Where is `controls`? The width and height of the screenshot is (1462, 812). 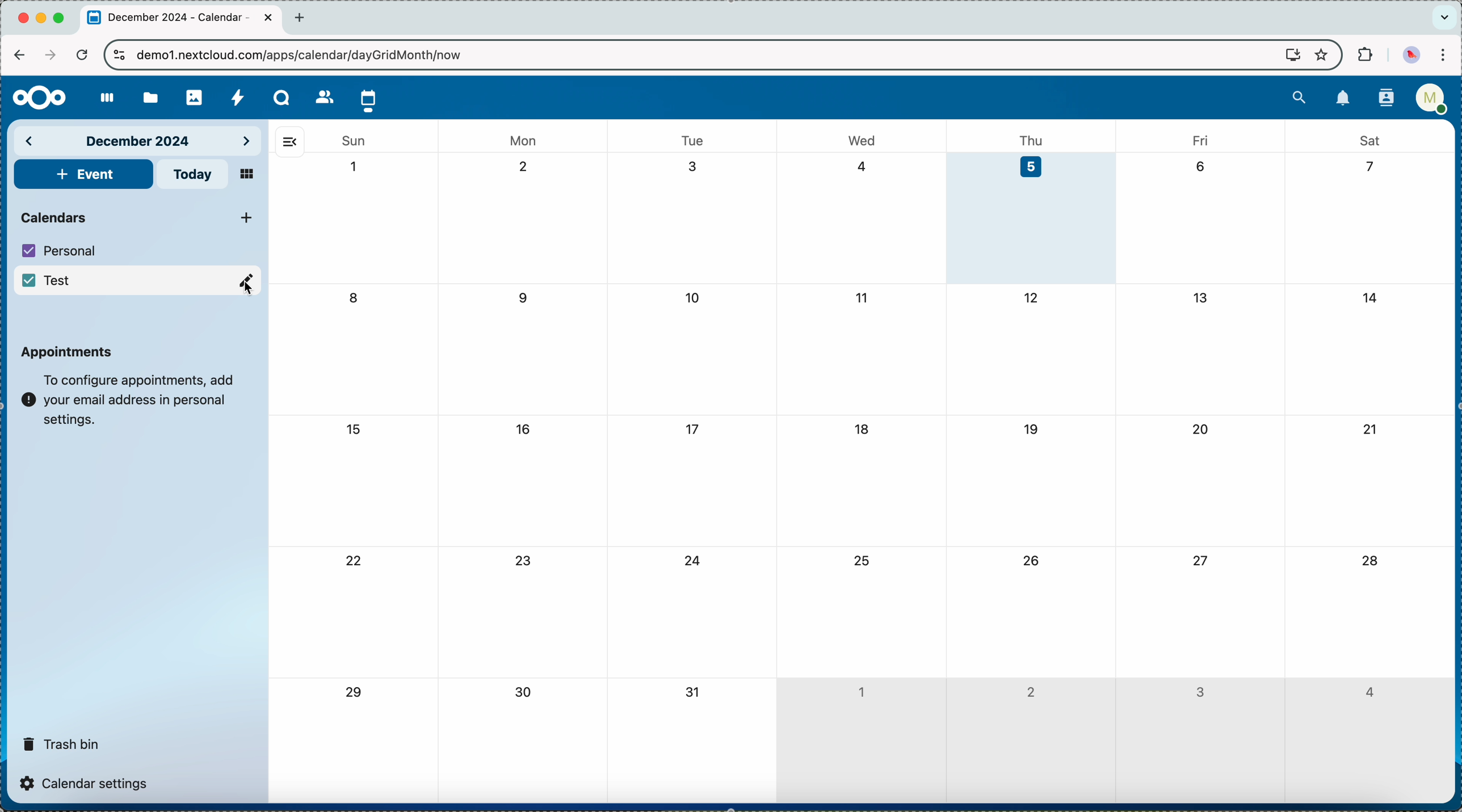
controls is located at coordinates (120, 56).